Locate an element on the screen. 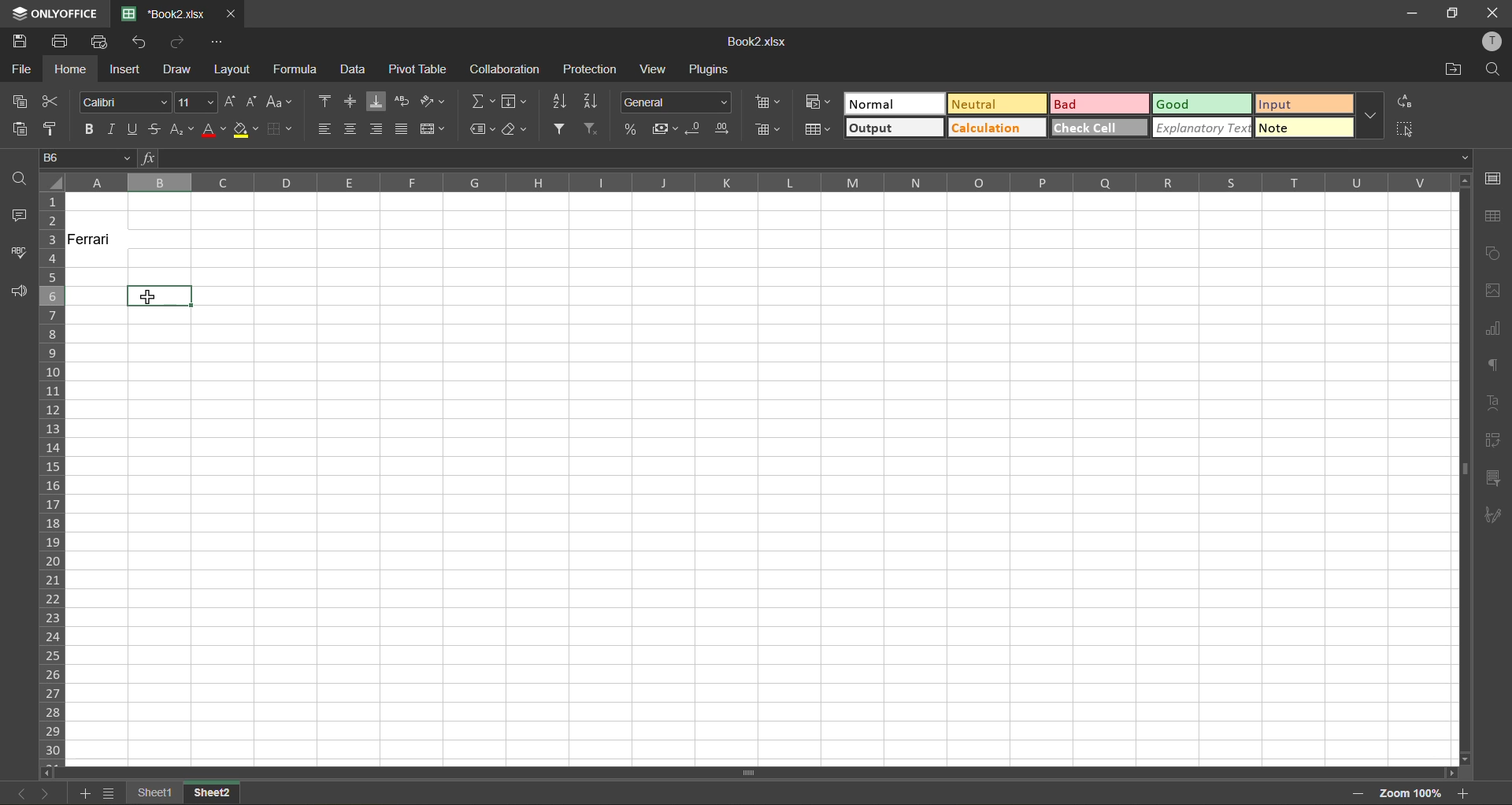 The height and width of the screenshot is (805, 1512). zoom in is located at coordinates (1462, 793).